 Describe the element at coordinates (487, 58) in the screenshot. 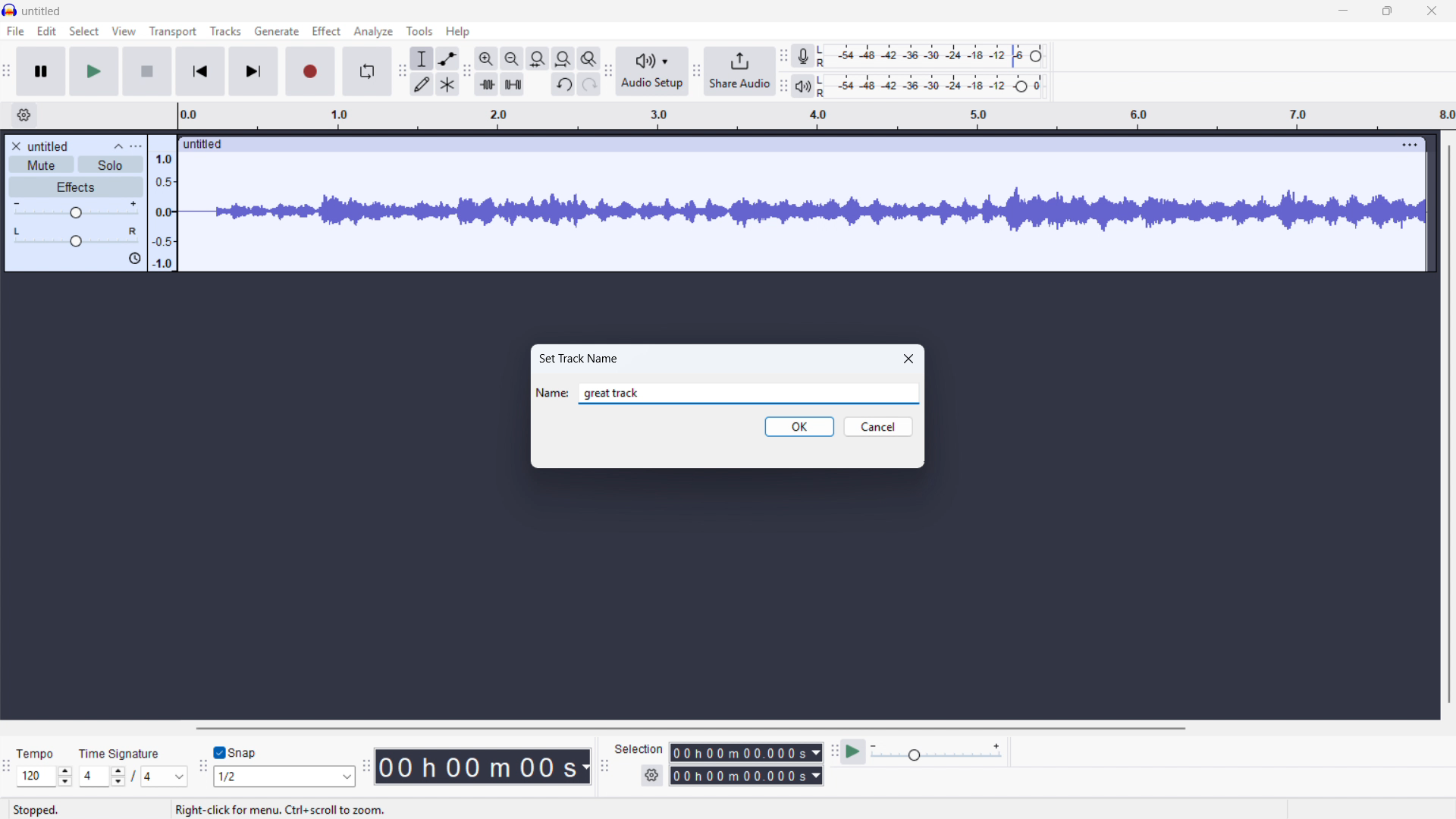

I see `Zoom in ` at that location.